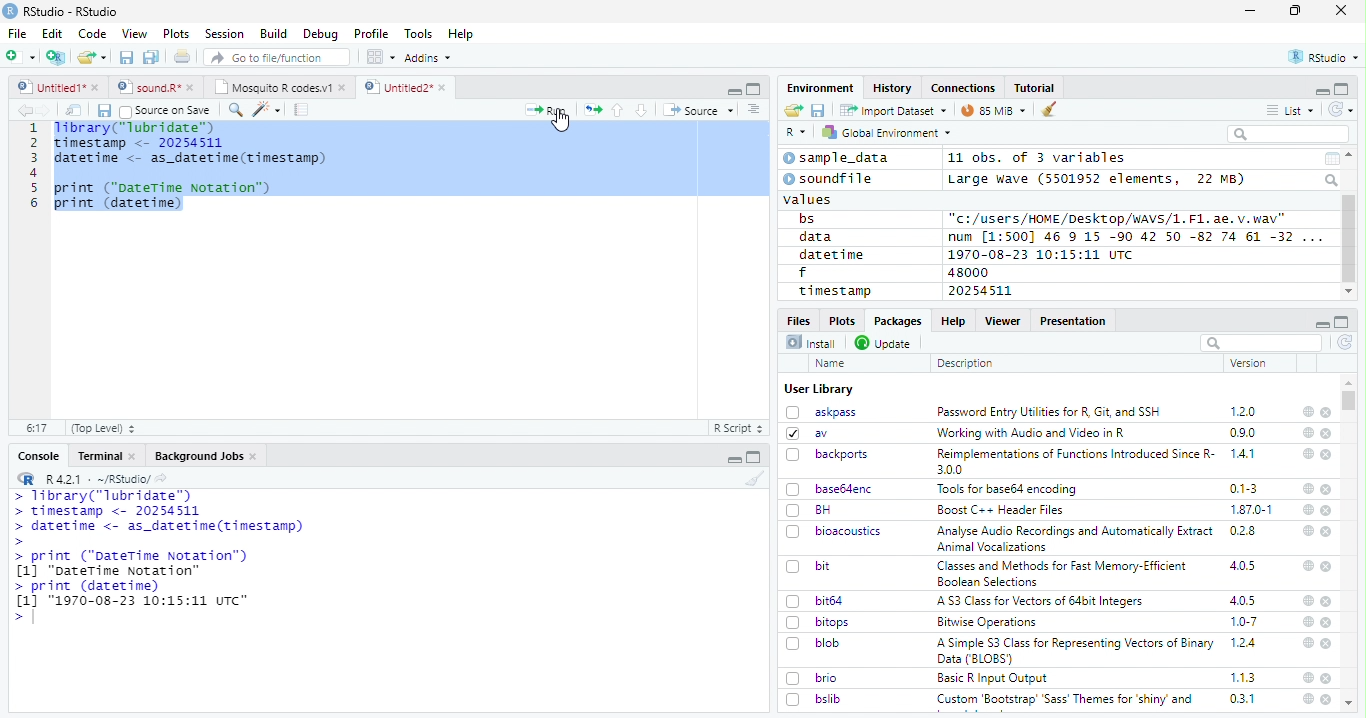 This screenshot has height=718, width=1366. What do you see at coordinates (1328, 602) in the screenshot?
I see `close` at bounding box center [1328, 602].